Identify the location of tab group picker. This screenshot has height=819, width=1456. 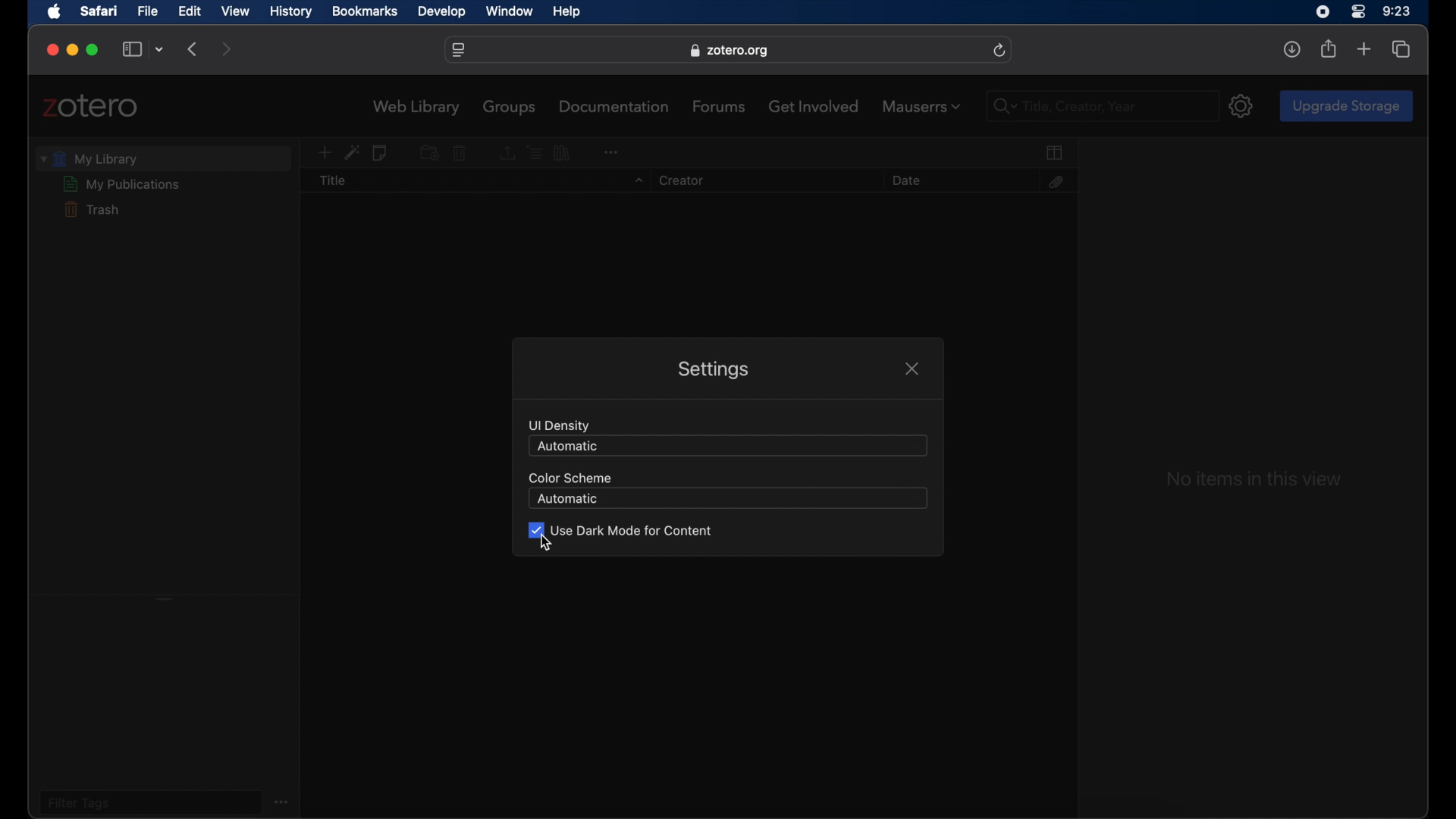
(161, 50).